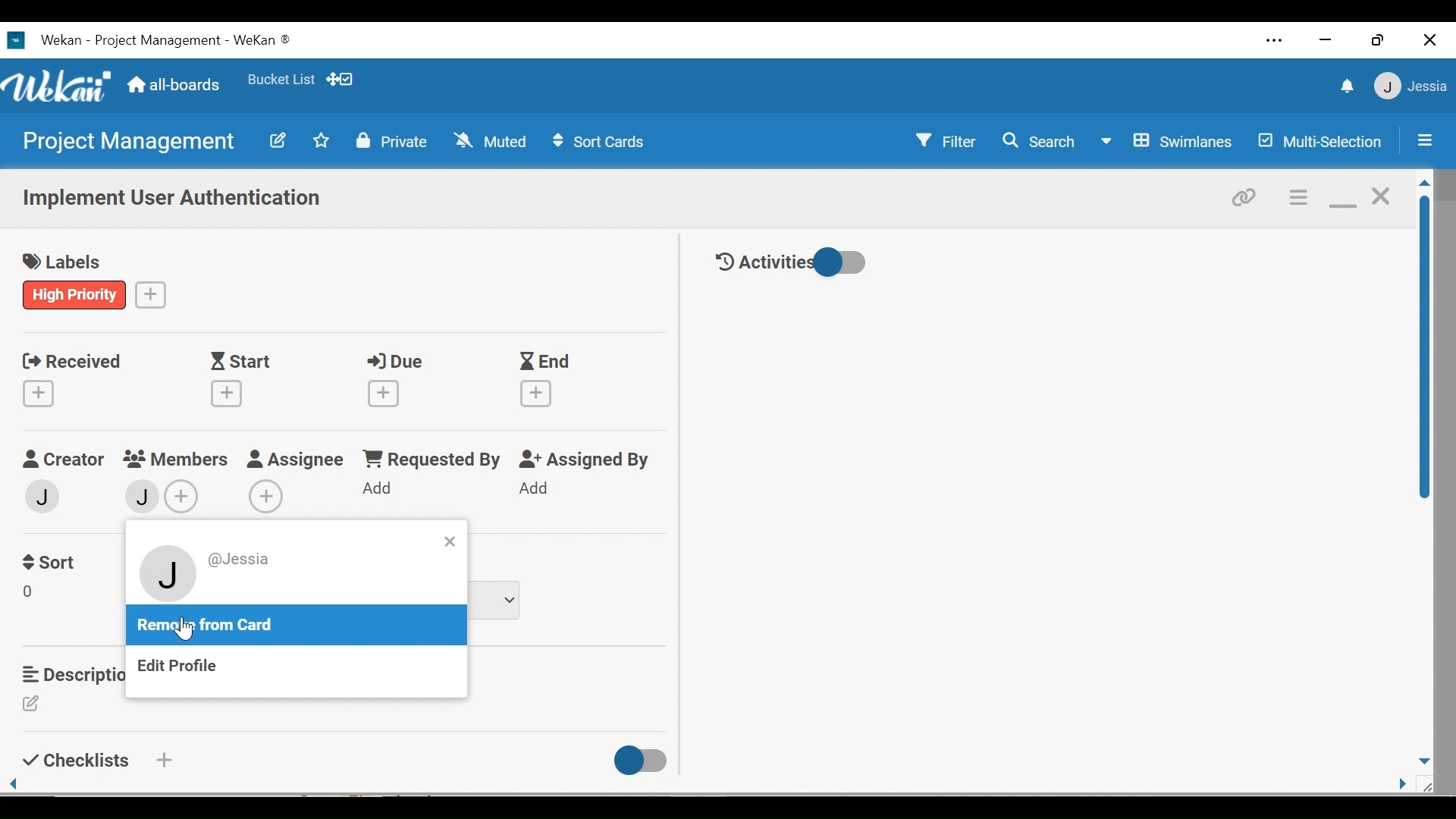  Describe the element at coordinates (1341, 196) in the screenshot. I see `minimize` at that location.